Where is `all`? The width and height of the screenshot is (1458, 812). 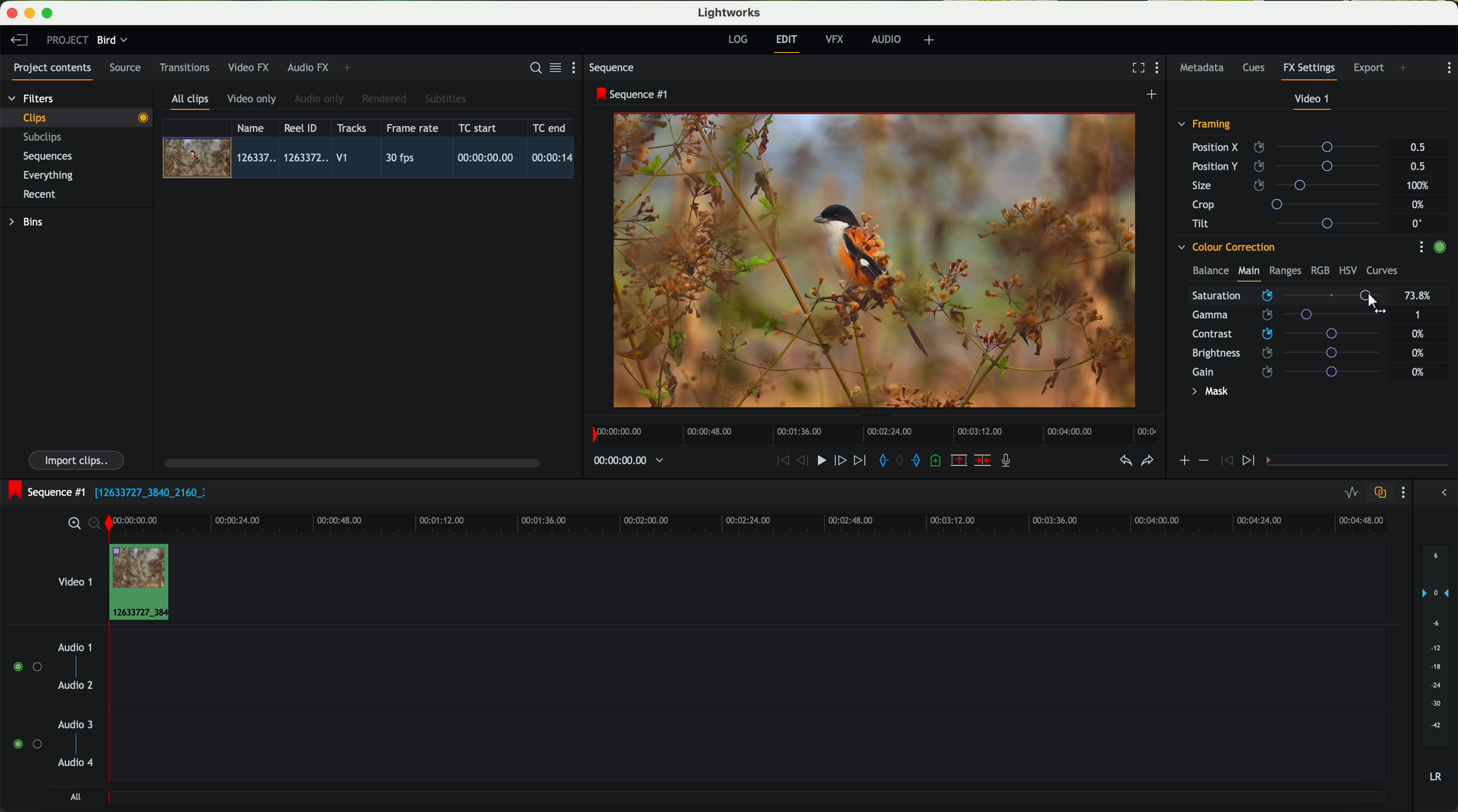 all is located at coordinates (75, 797).